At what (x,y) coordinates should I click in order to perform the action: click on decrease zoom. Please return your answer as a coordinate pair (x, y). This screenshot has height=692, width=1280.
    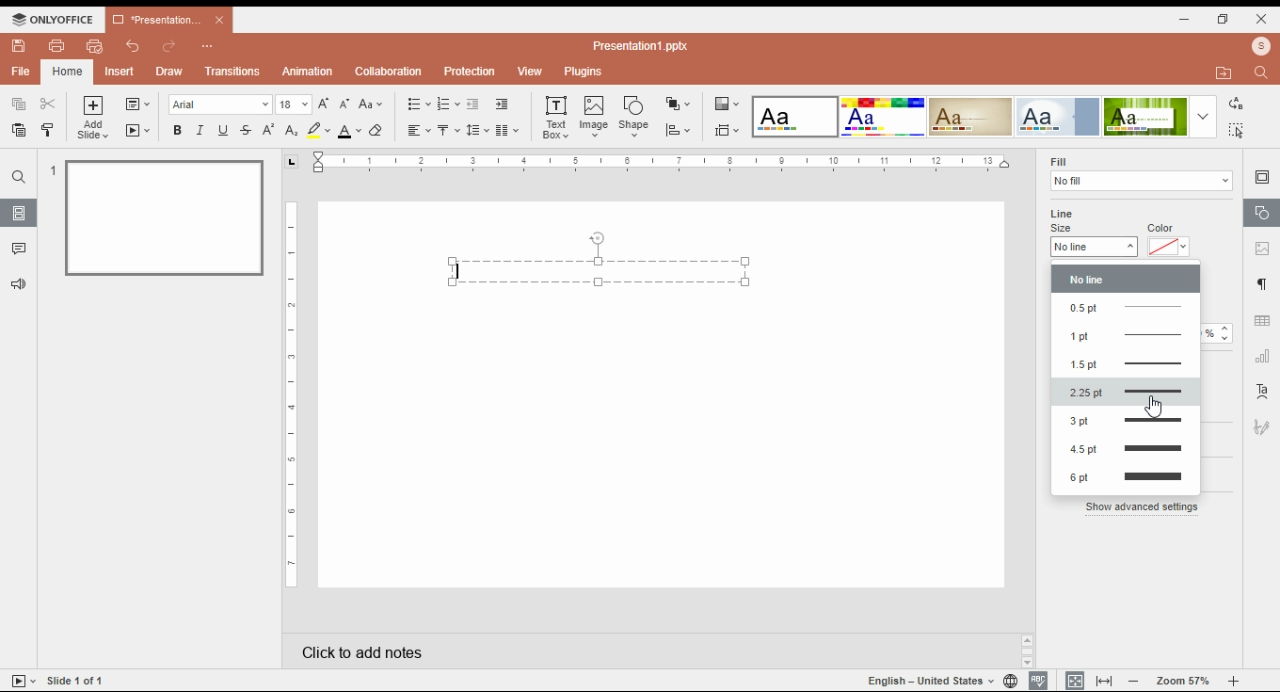
    Looking at the image, I should click on (1134, 680).